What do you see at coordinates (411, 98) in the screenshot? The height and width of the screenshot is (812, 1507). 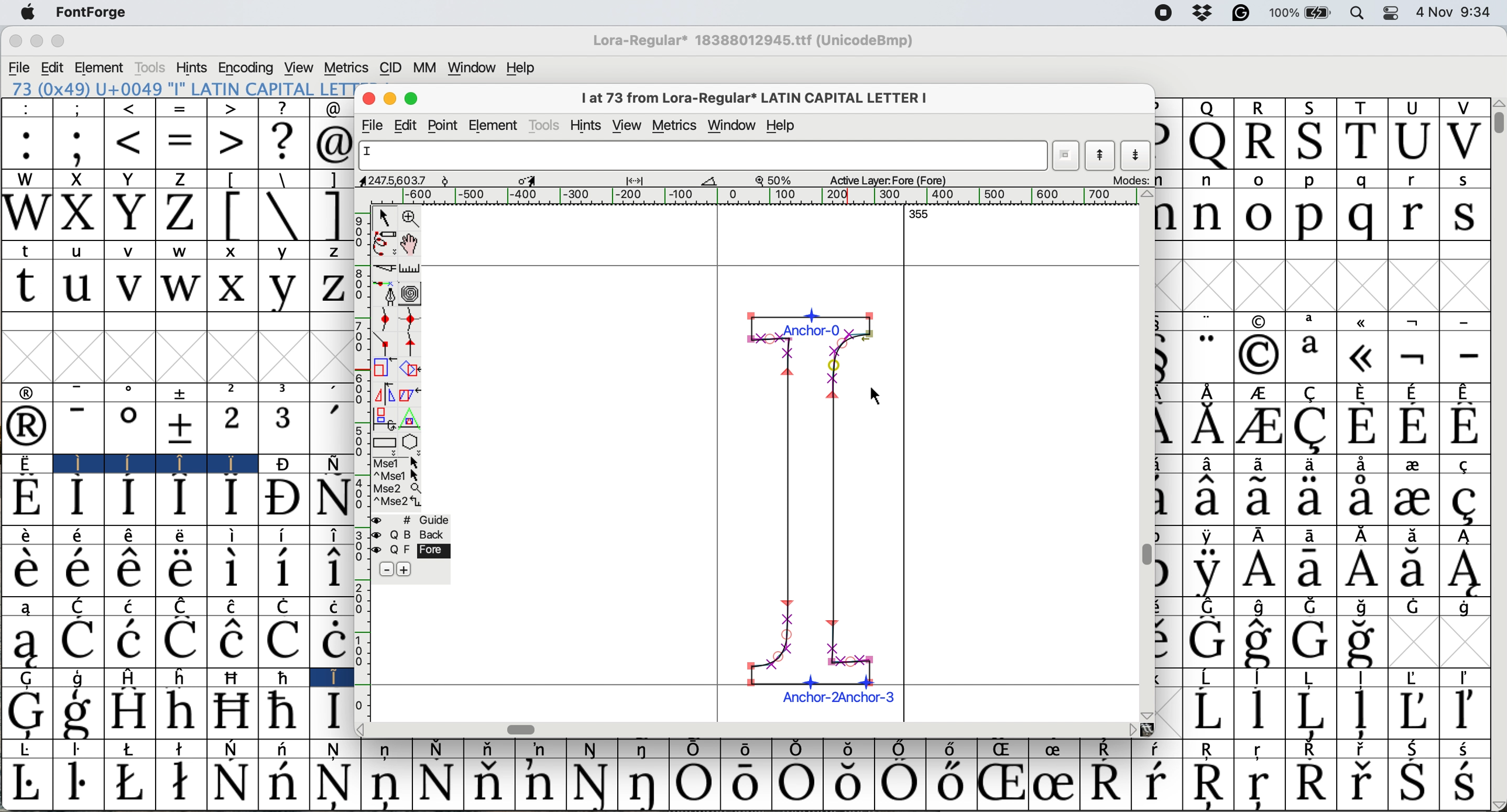 I see `maximise` at bounding box center [411, 98].